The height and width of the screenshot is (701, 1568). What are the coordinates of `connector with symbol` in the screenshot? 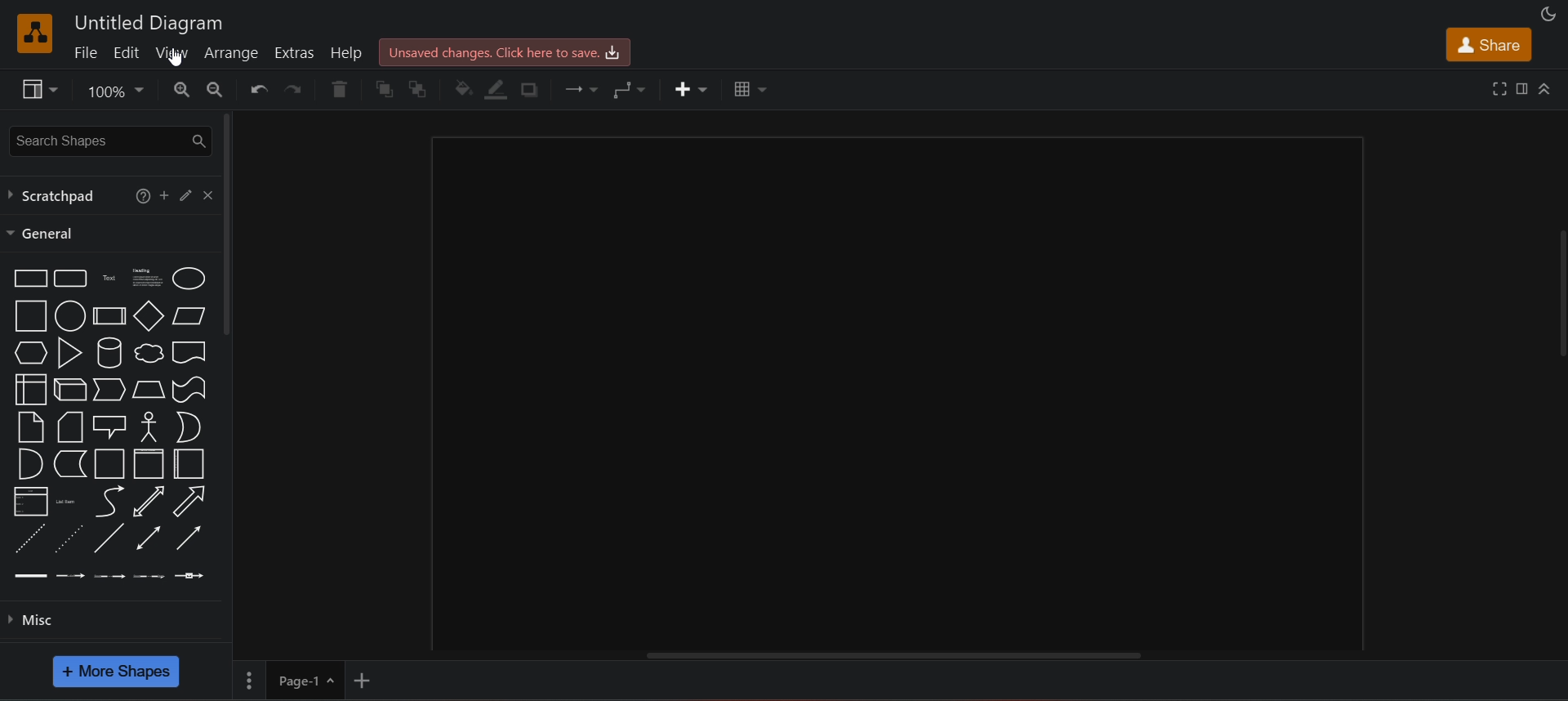 It's located at (189, 574).